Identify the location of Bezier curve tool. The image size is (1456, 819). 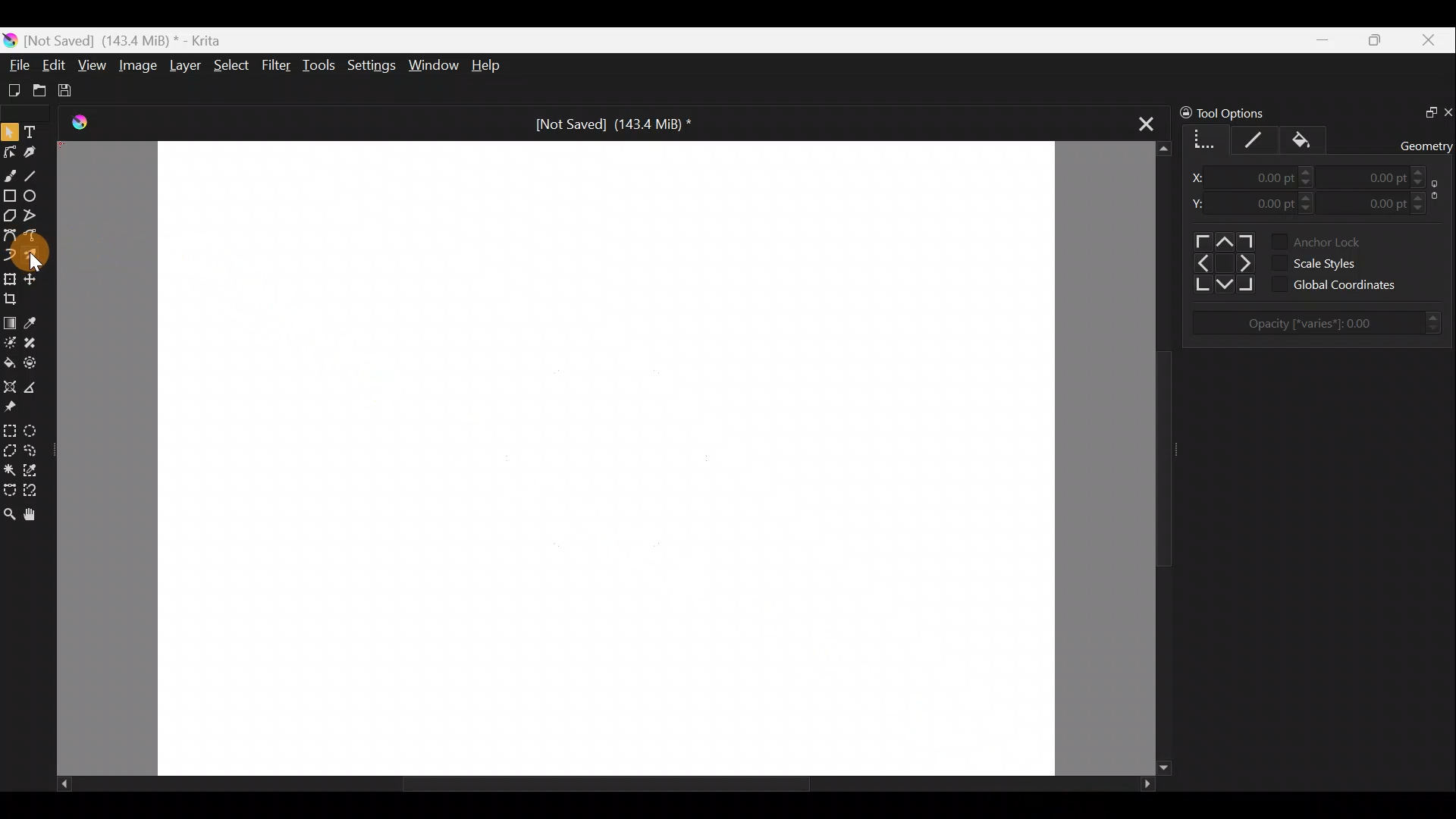
(9, 236).